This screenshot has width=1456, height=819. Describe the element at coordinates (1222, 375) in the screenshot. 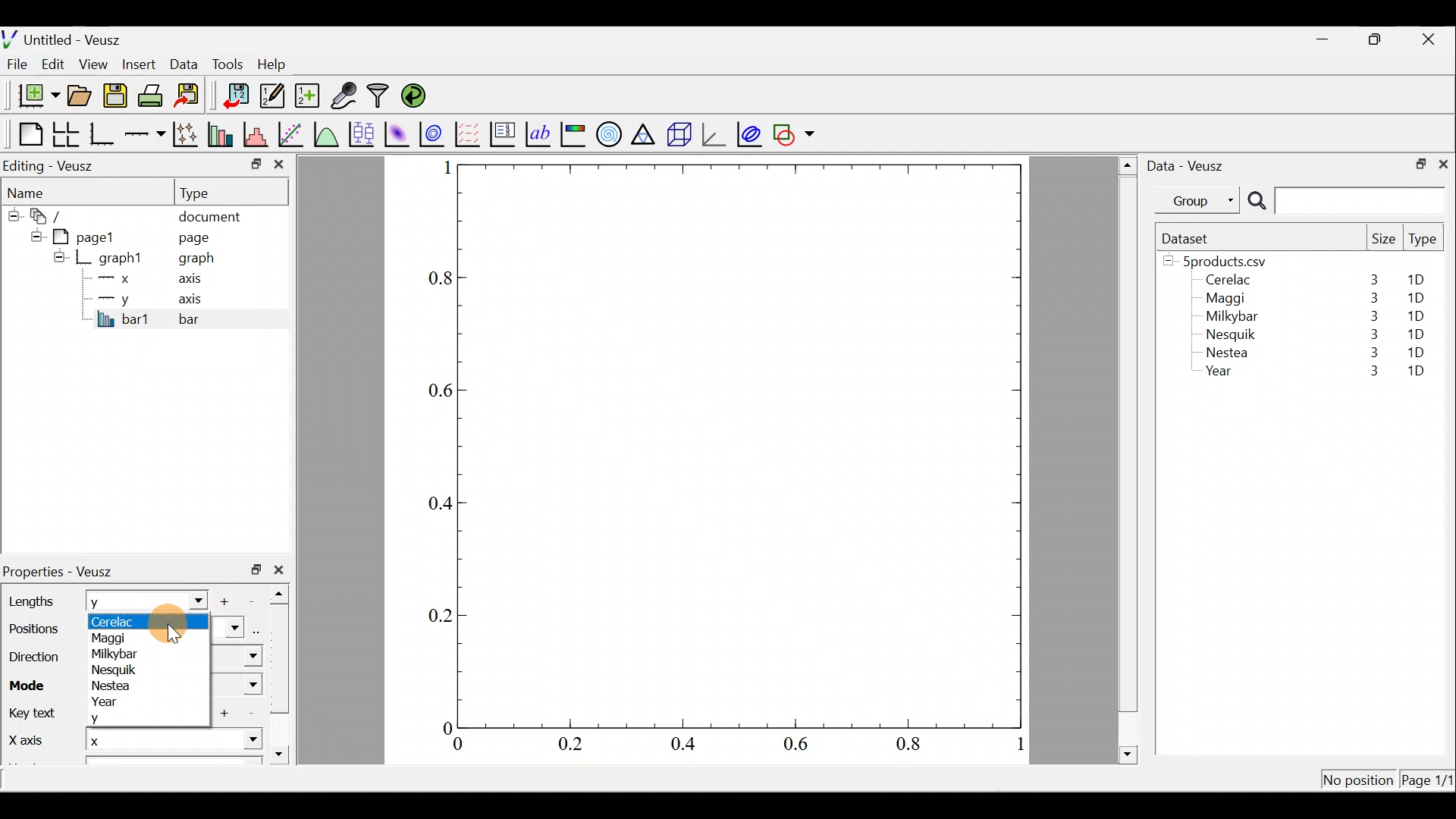

I see `Year` at that location.